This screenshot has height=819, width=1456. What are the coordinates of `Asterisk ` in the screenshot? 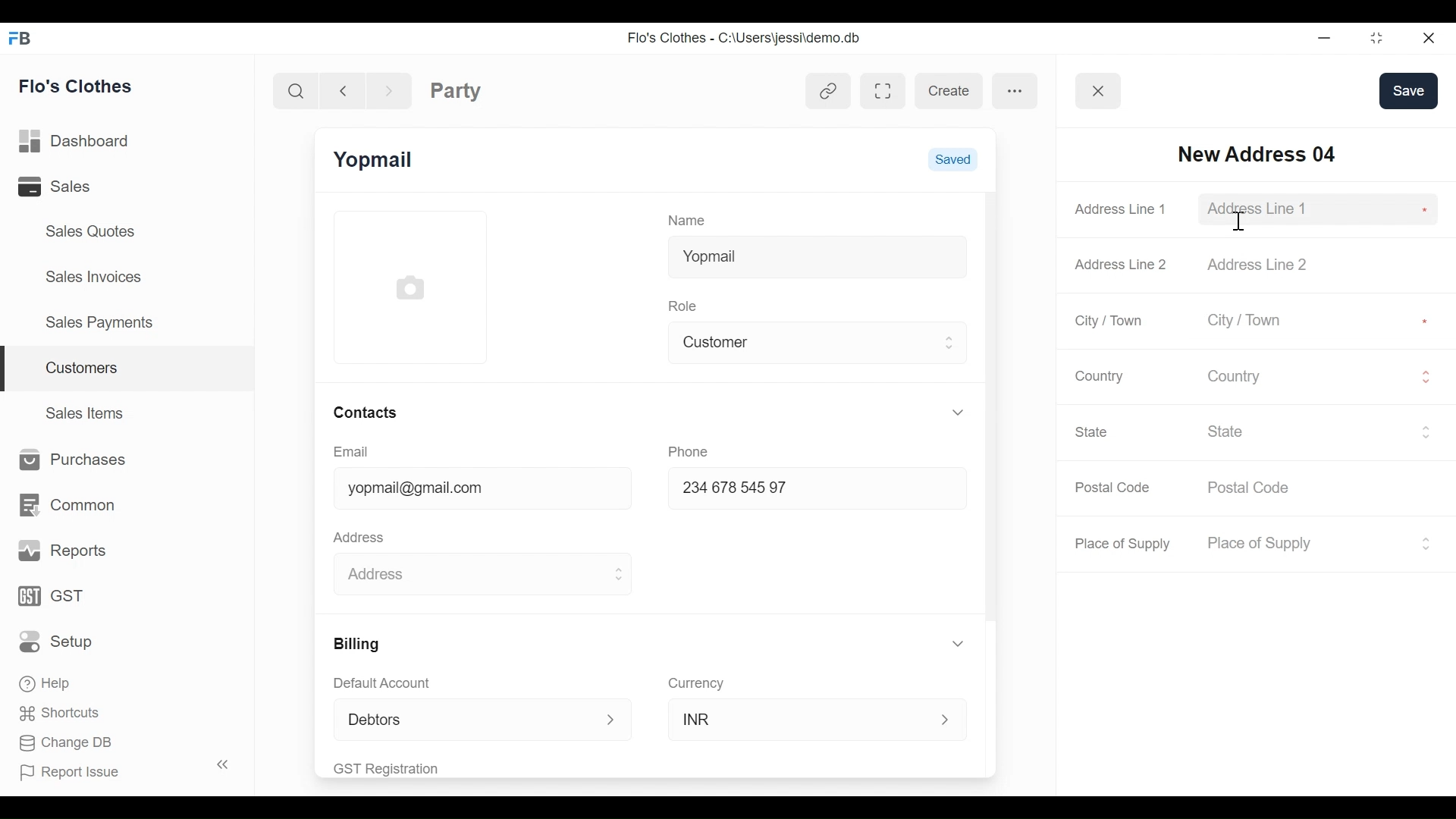 It's located at (1427, 319).